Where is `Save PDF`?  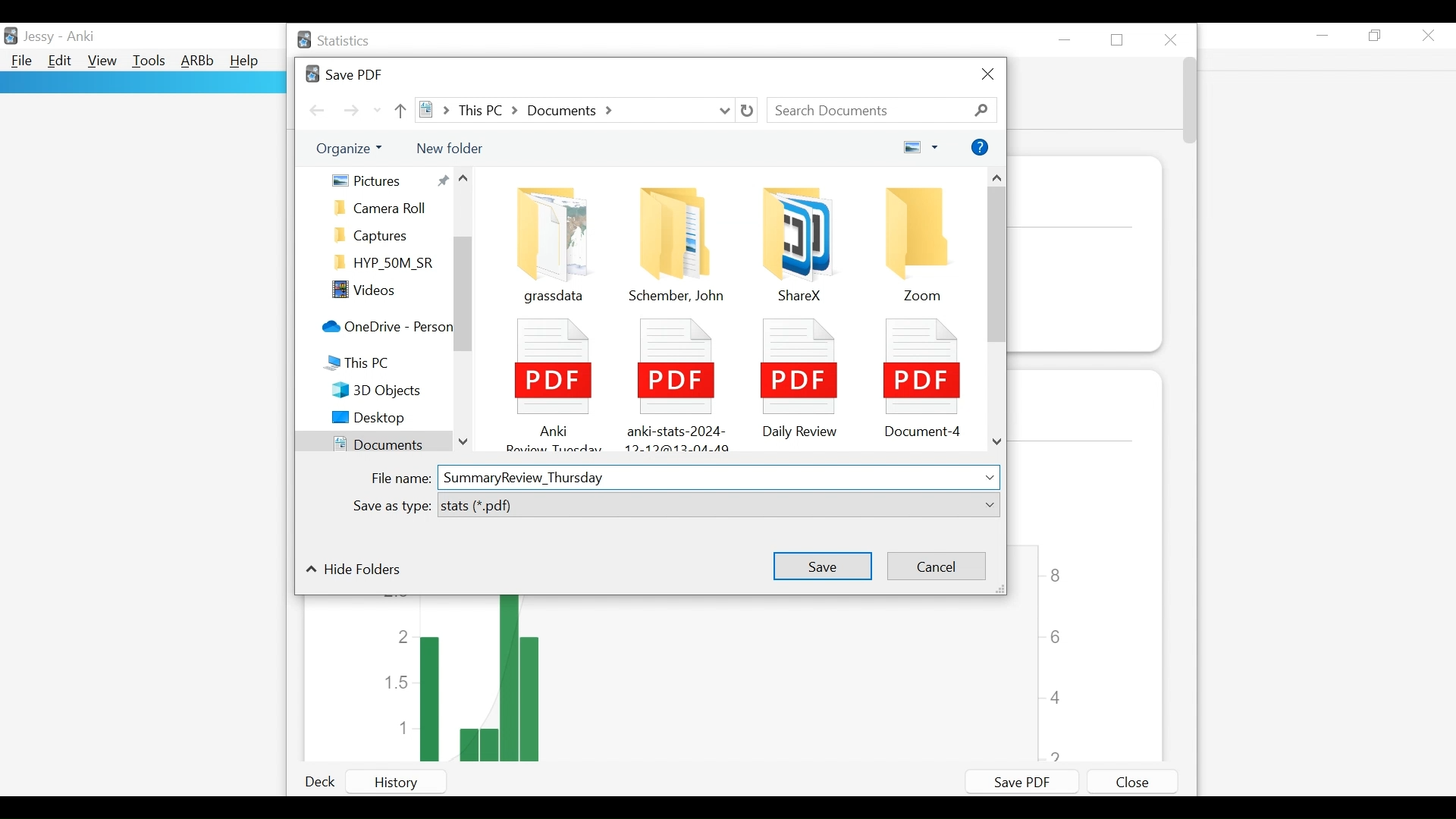
Save PDF is located at coordinates (343, 73).